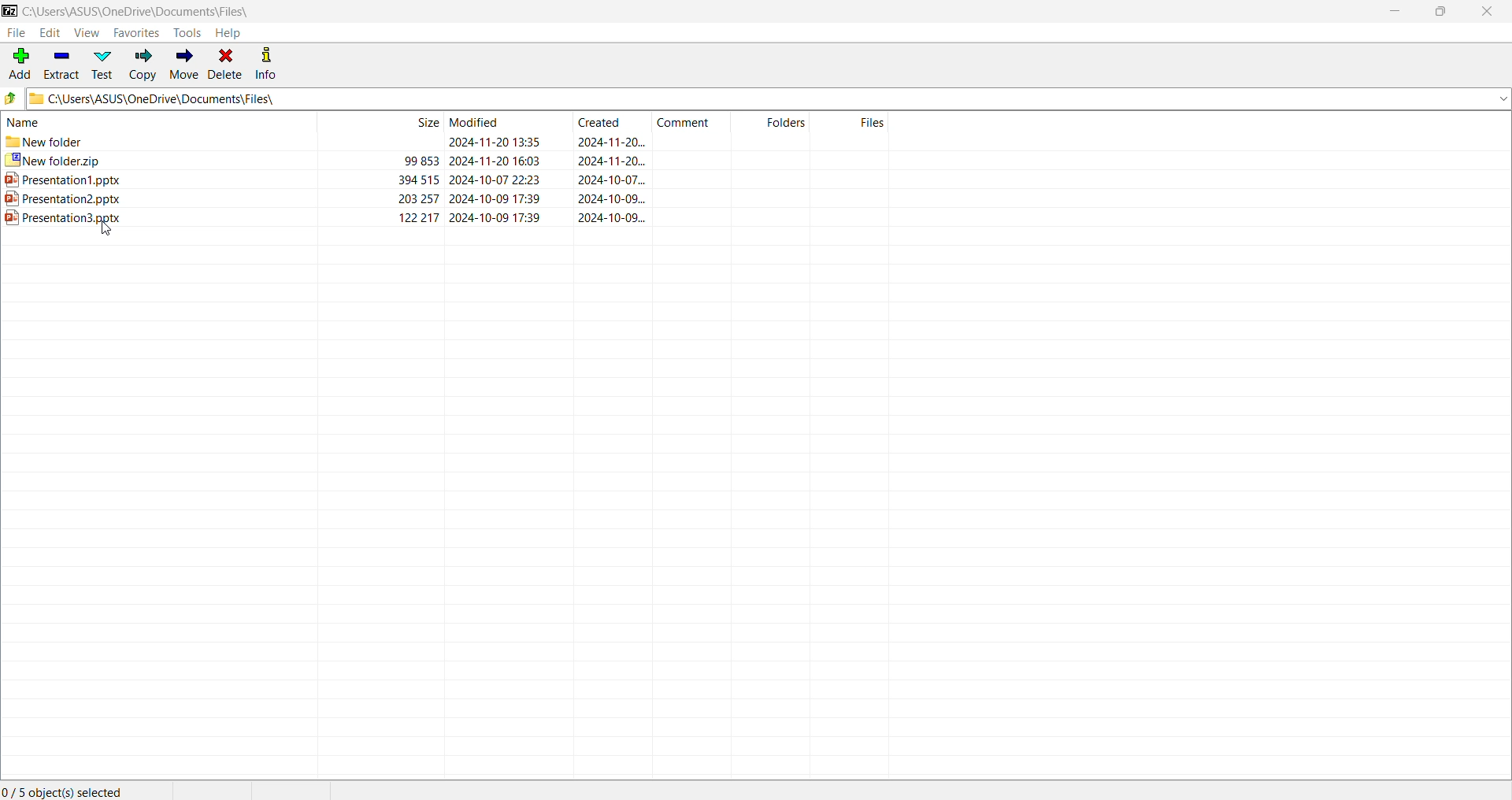 The height and width of the screenshot is (800, 1512). I want to click on Restore Down, so click(1442, 13).